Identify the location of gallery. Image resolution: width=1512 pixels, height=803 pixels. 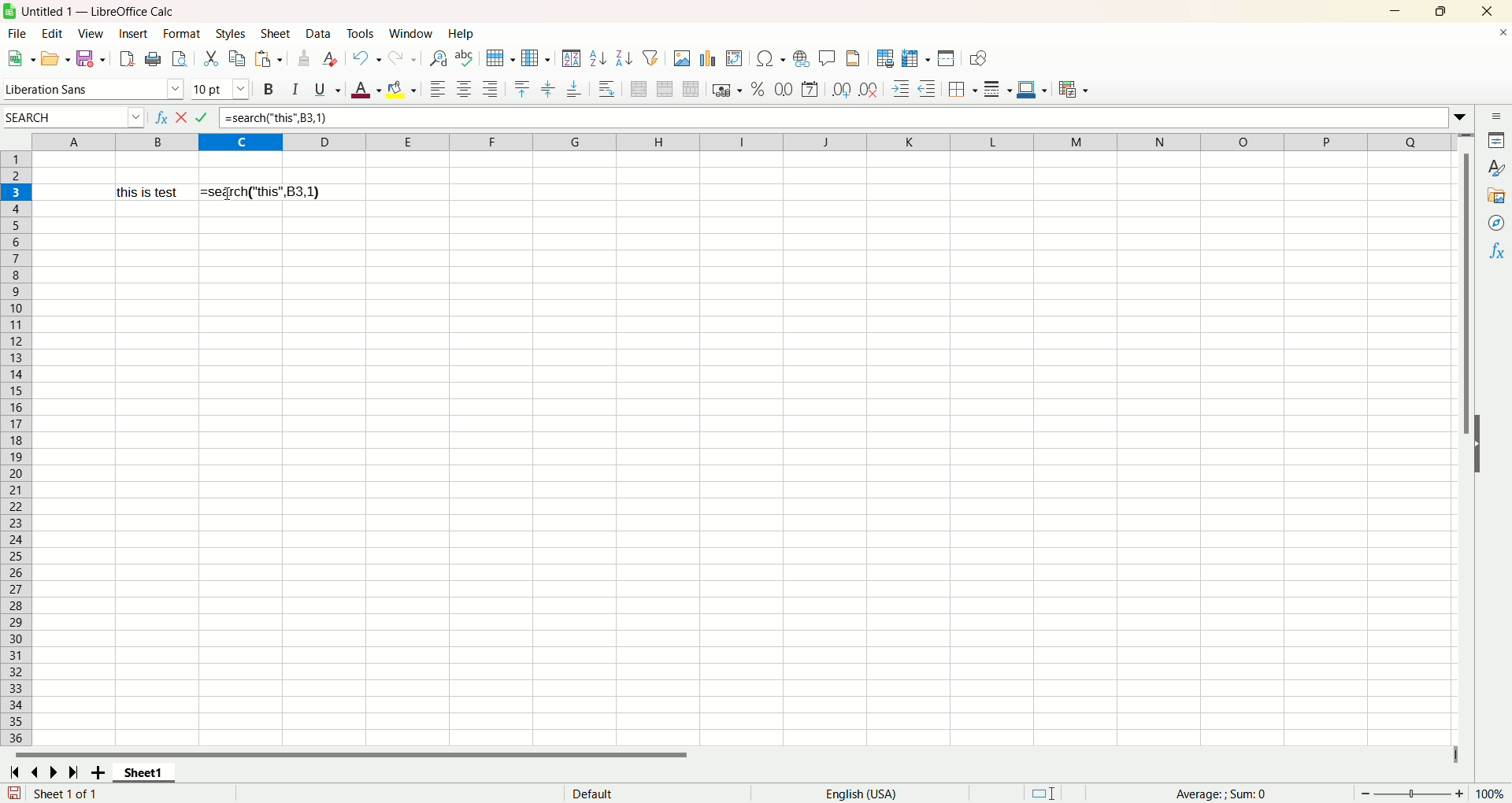
(1497, 194).